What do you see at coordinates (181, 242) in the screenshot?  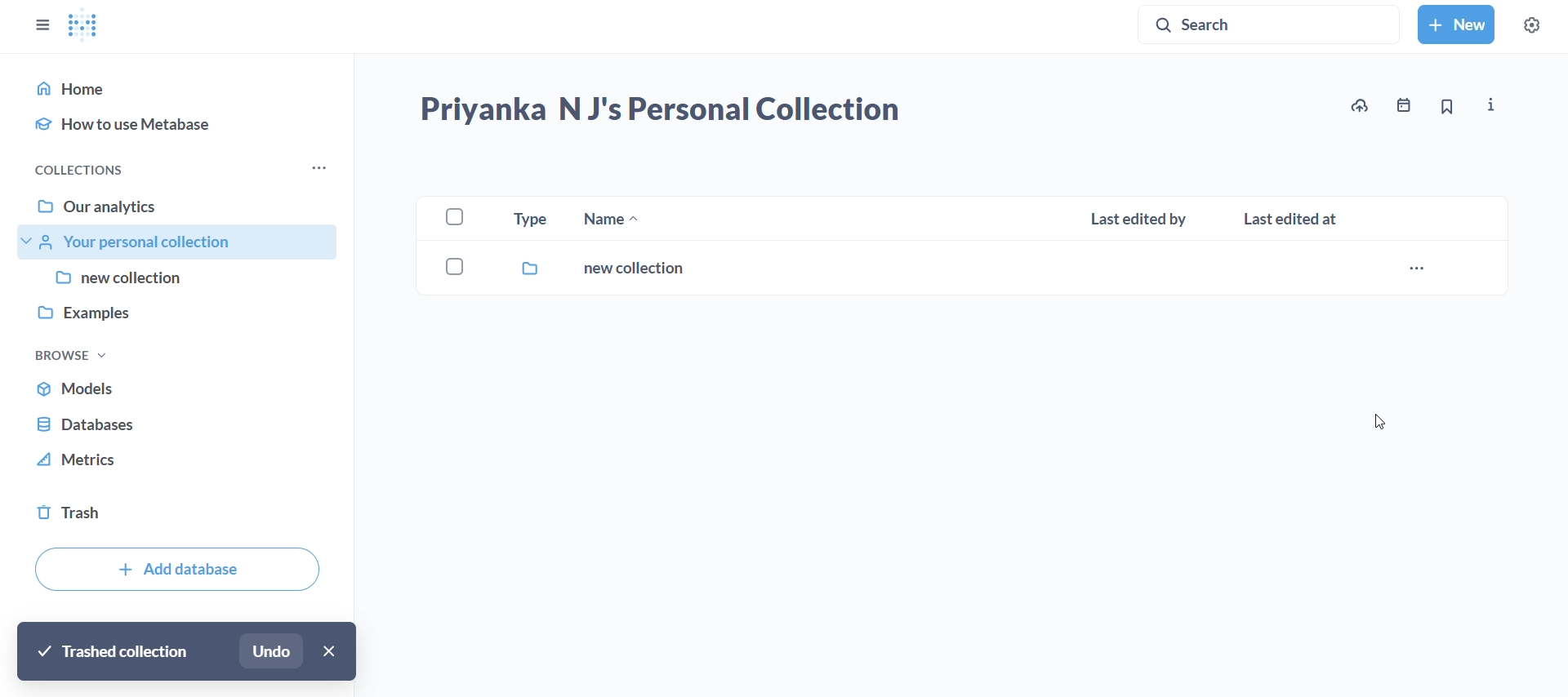 I see `your personal collections` at bounding box center [181, 242].